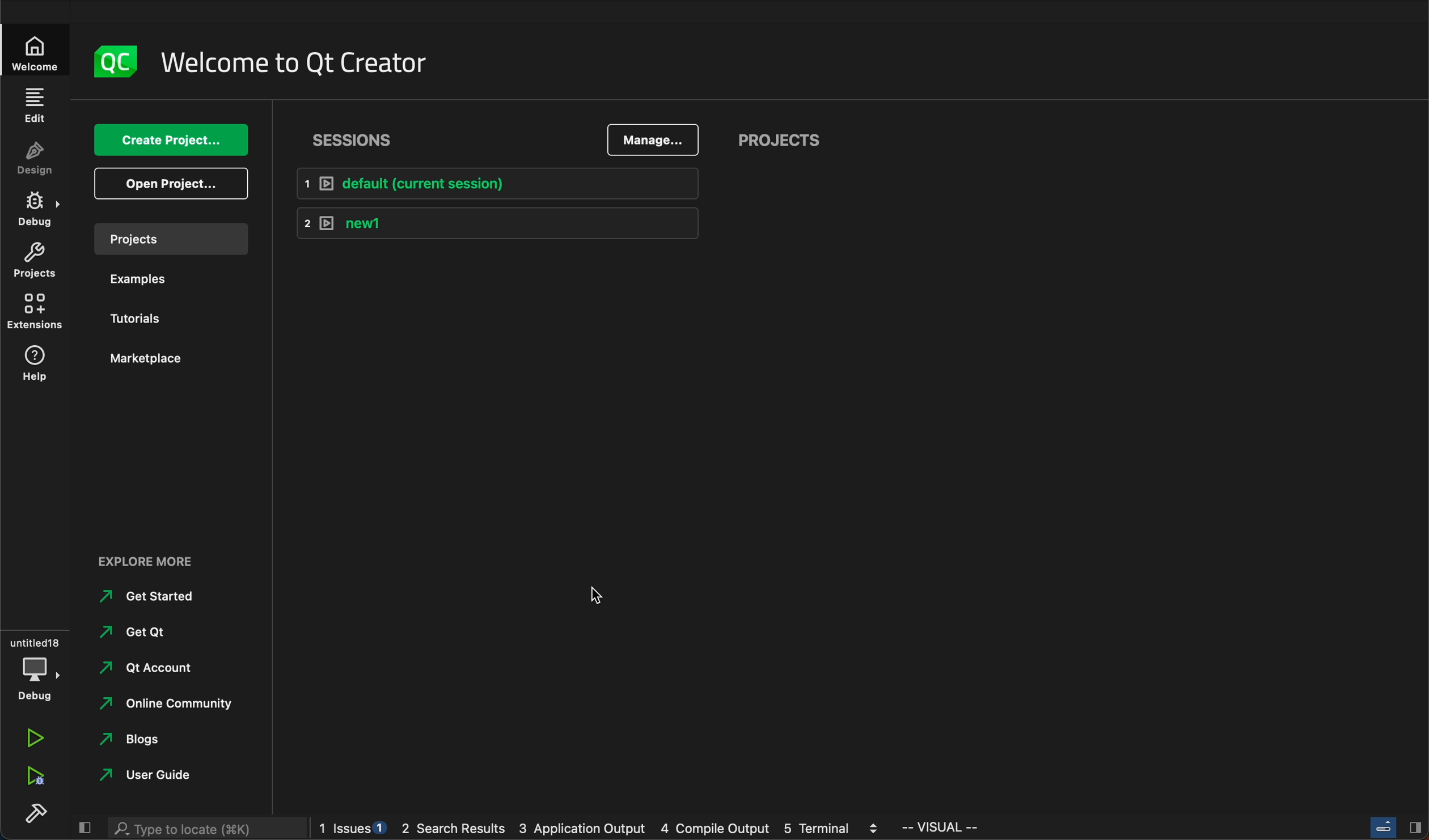 Image resolution: width=1429 pixels, height=840 pixels. Describe the element at coordinates (168, 139) in the screenshot. I see `create` at that location.